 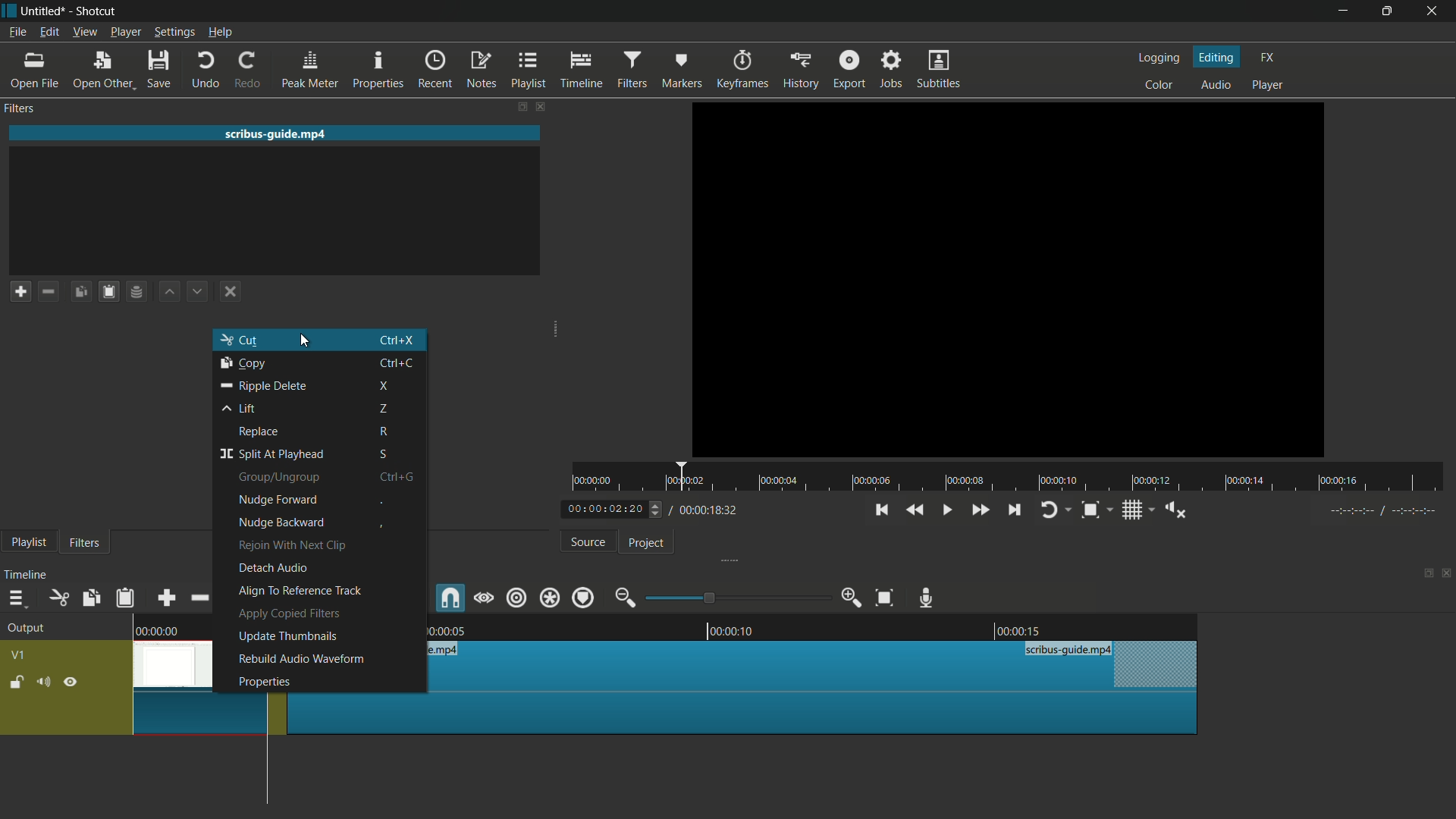 I want to click on video in timeline, so click(x=807, y=687).